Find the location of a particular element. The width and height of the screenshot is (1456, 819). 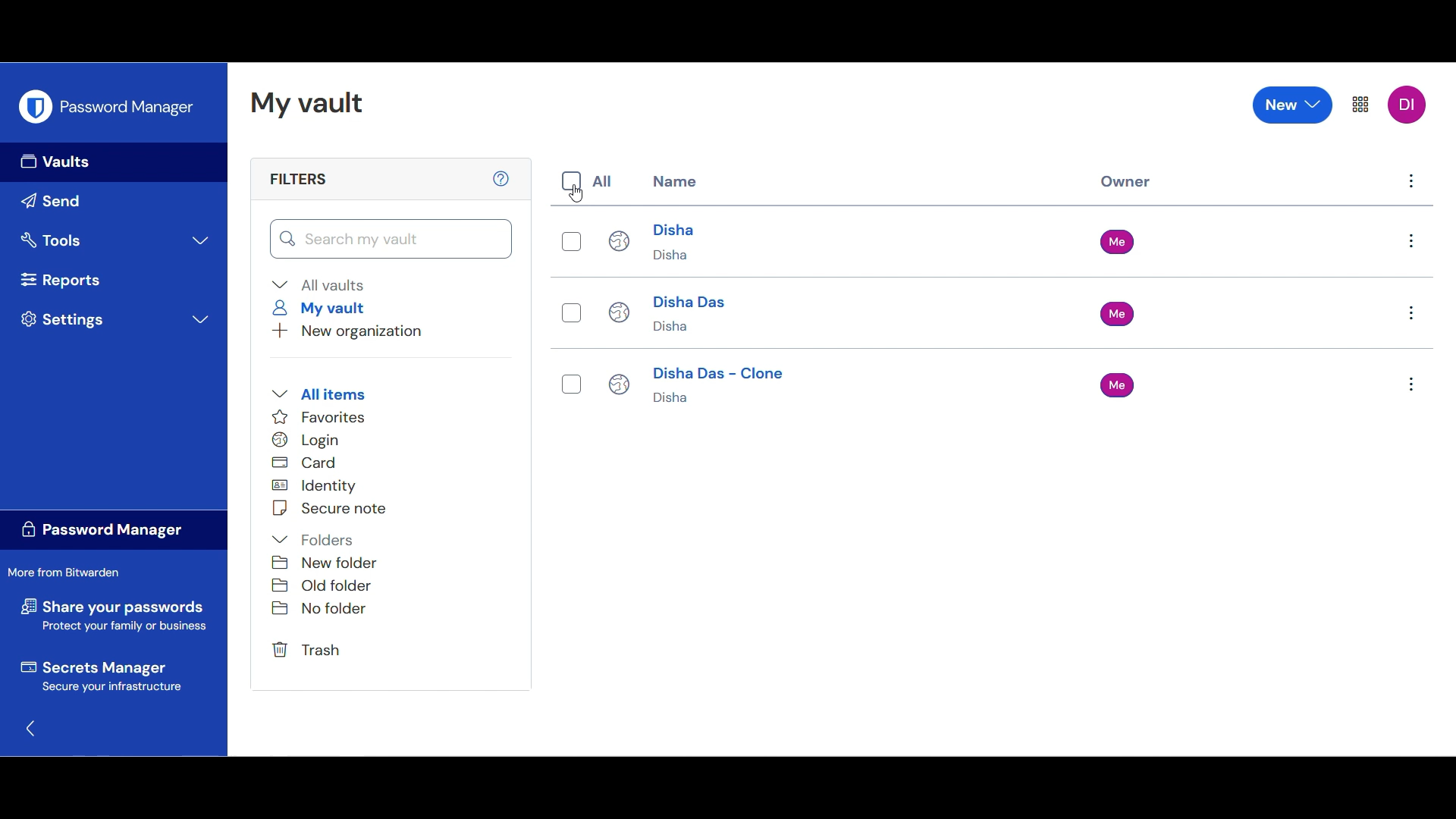

Go back is located at coordinates (31, 729).